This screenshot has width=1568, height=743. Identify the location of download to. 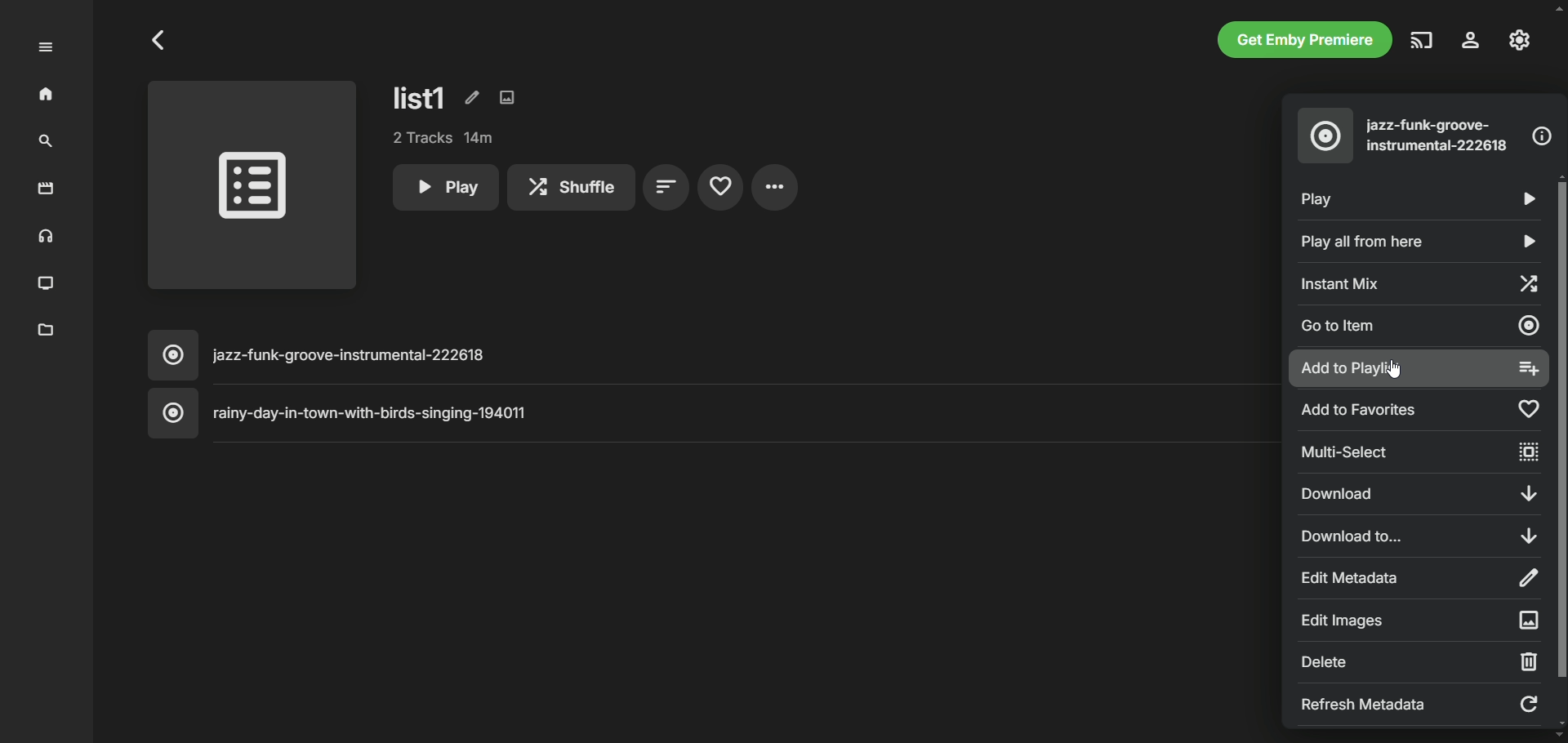
(1415, 534).